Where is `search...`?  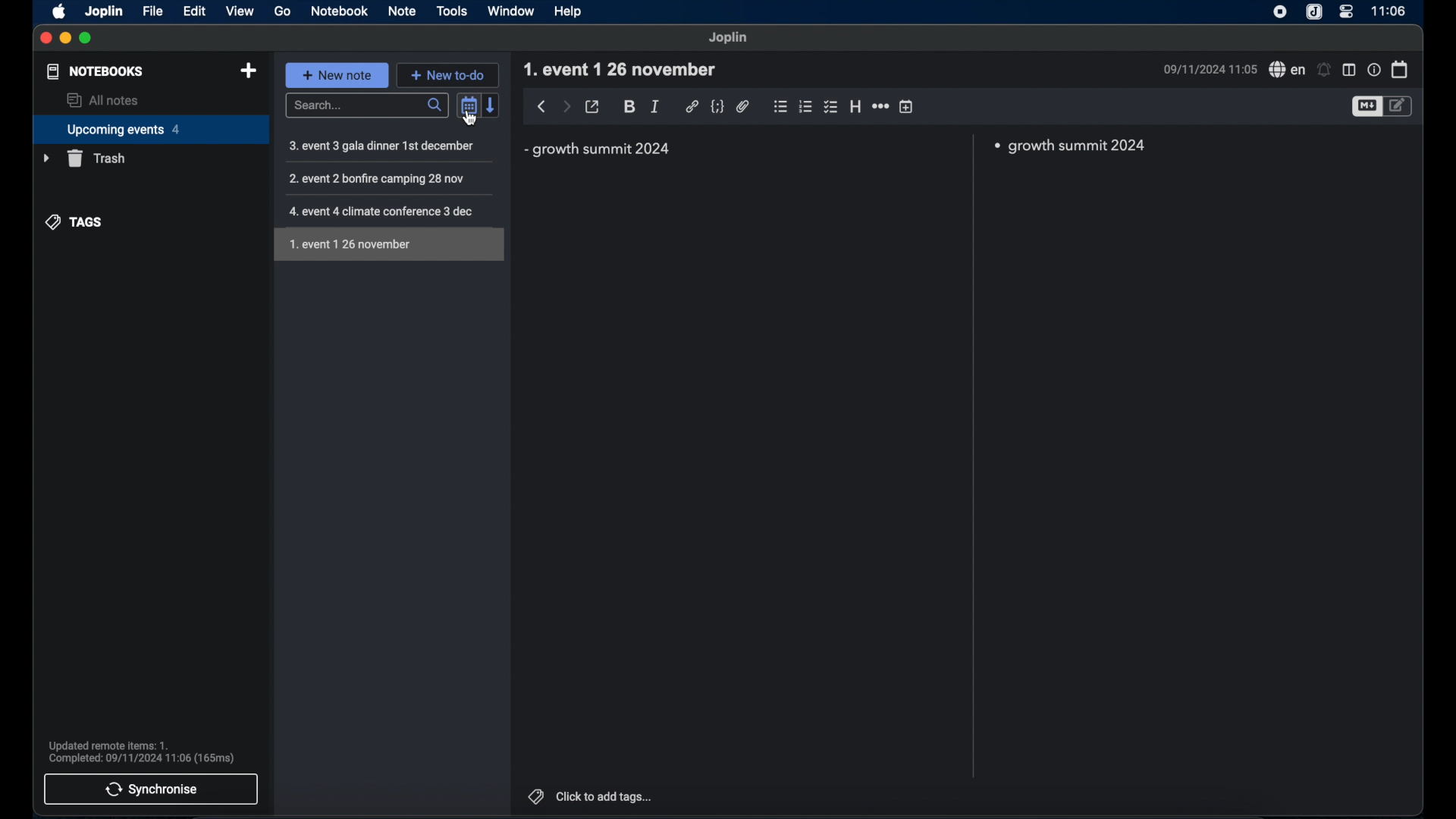 search... is located at coordinates (366, 105).